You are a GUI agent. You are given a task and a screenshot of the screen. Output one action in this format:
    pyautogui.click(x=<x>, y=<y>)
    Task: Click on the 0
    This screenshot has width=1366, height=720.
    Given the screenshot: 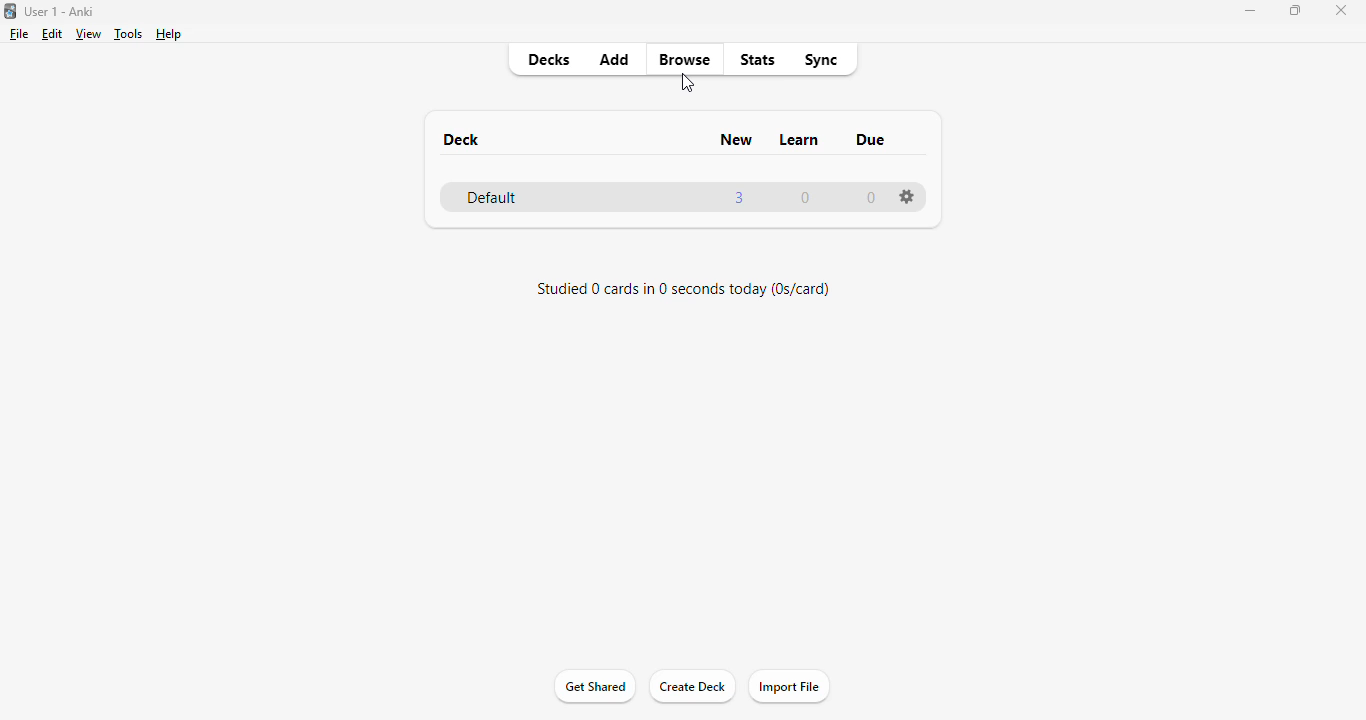 What is the action you would take?
    pyautogui.click(x=808, y=198)
    